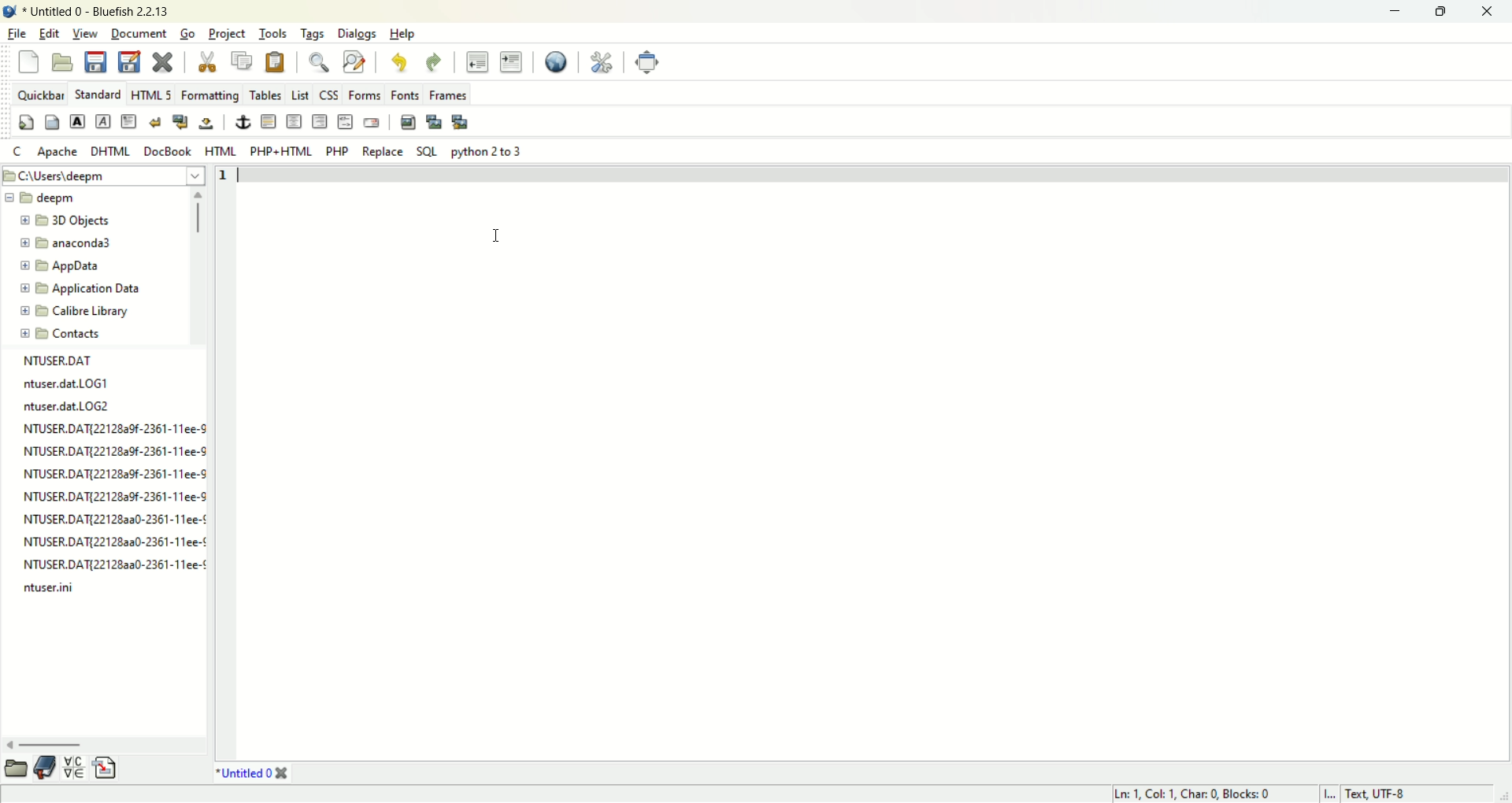 This screenshot has height=803, width=1512. What do you see at coordinates (181, 121) in the screenshot?
I see `break and clear` at bounding box center [181, 121].